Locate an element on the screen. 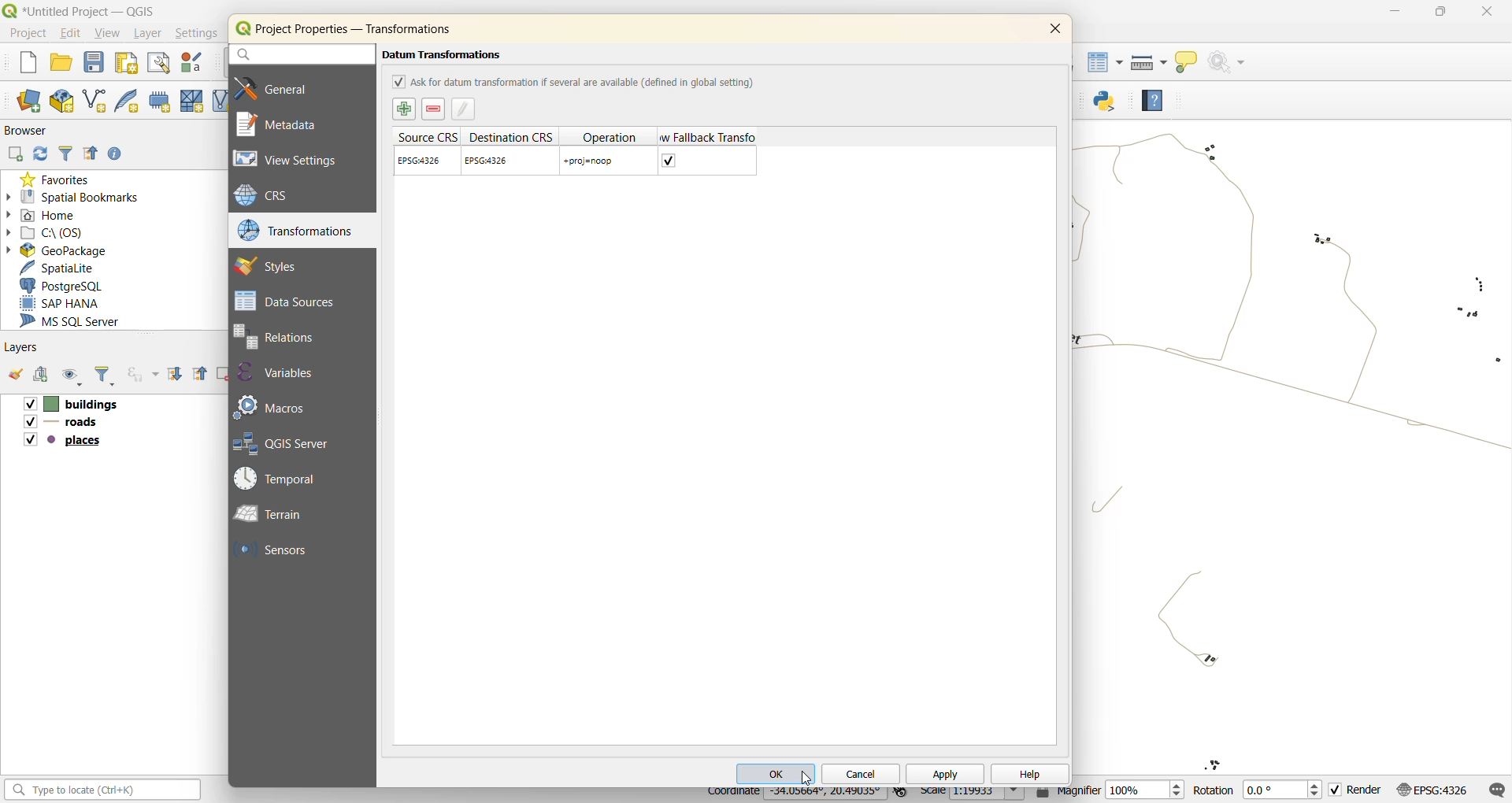 This screenshot has height=803, width=1512. new shapefile is located at coordinates (96, 101).